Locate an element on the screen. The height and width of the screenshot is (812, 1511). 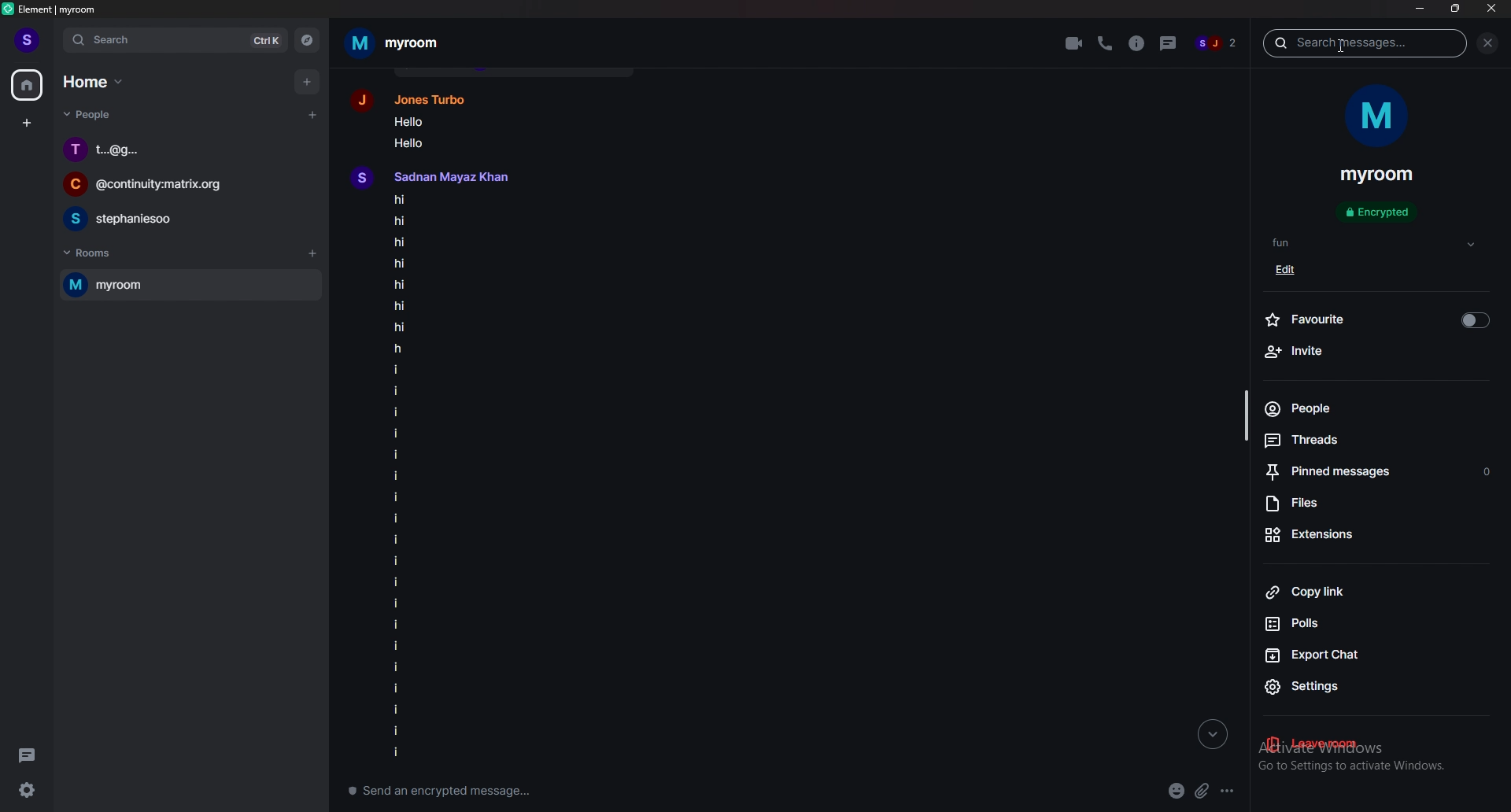
minimize is located at coordinates (1419, 8).